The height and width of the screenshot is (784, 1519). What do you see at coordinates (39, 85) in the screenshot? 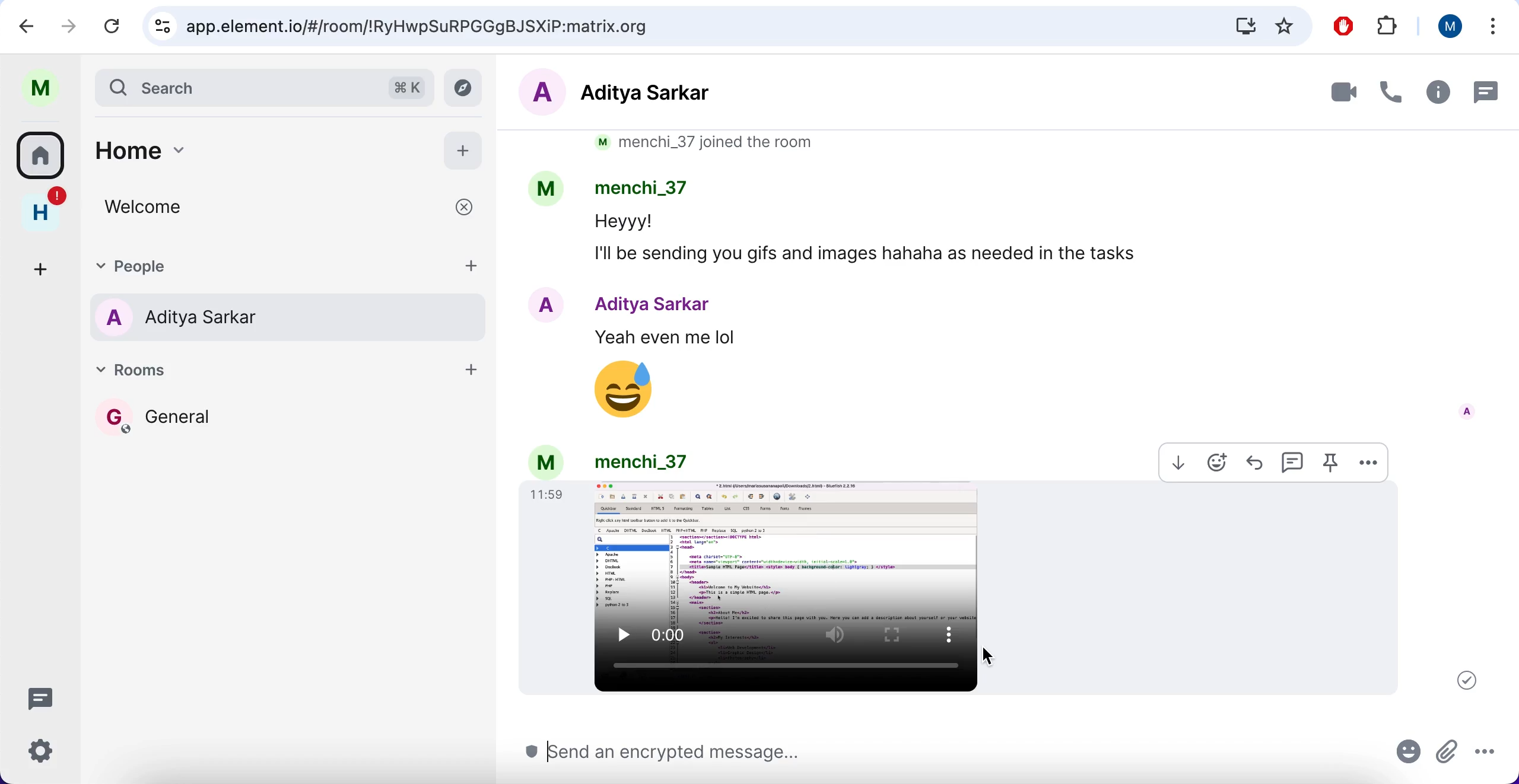
I see `user` at bounding box center [39, 85].